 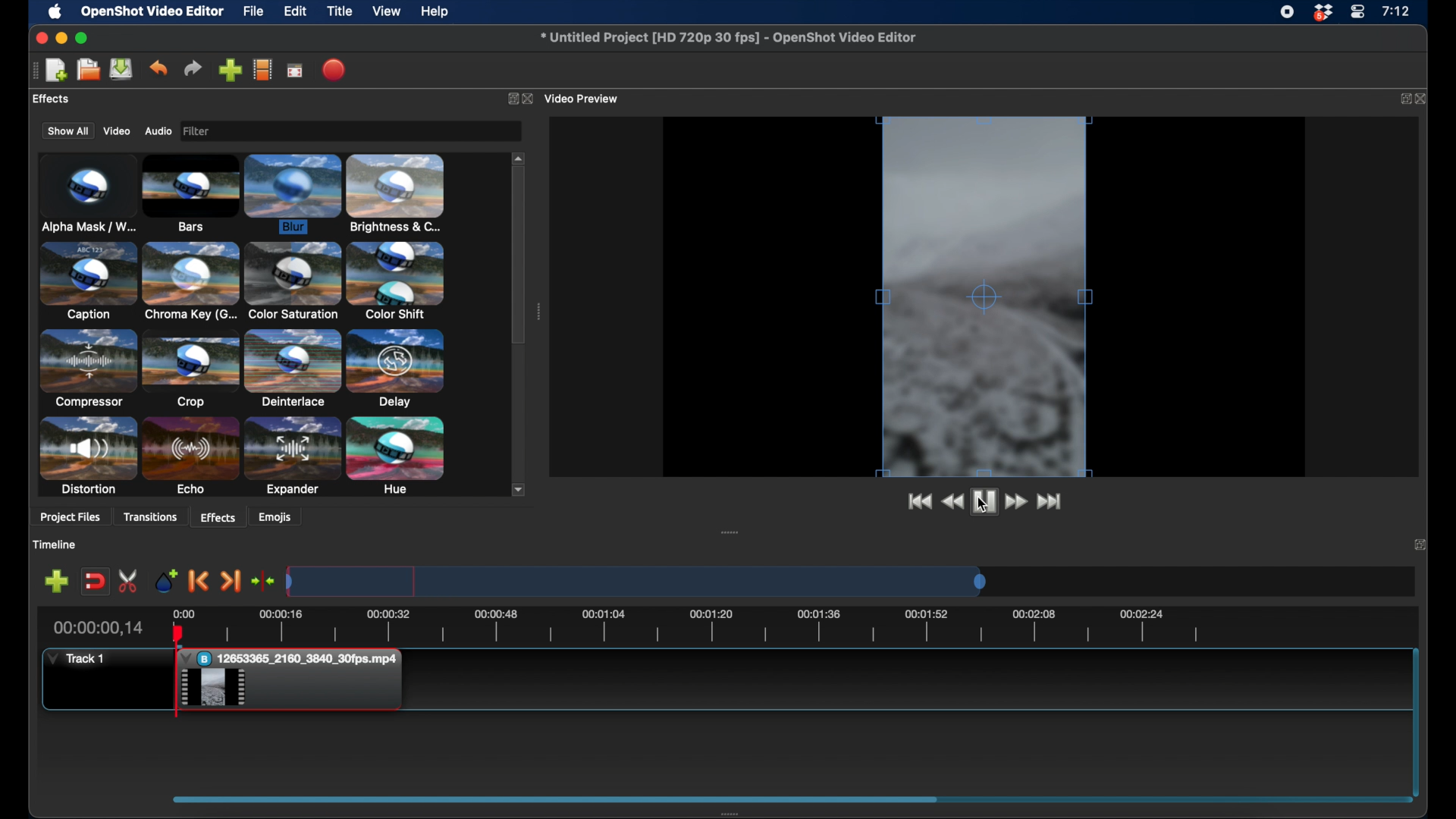 I want to click on color saturation, so click(x=292, y=281).